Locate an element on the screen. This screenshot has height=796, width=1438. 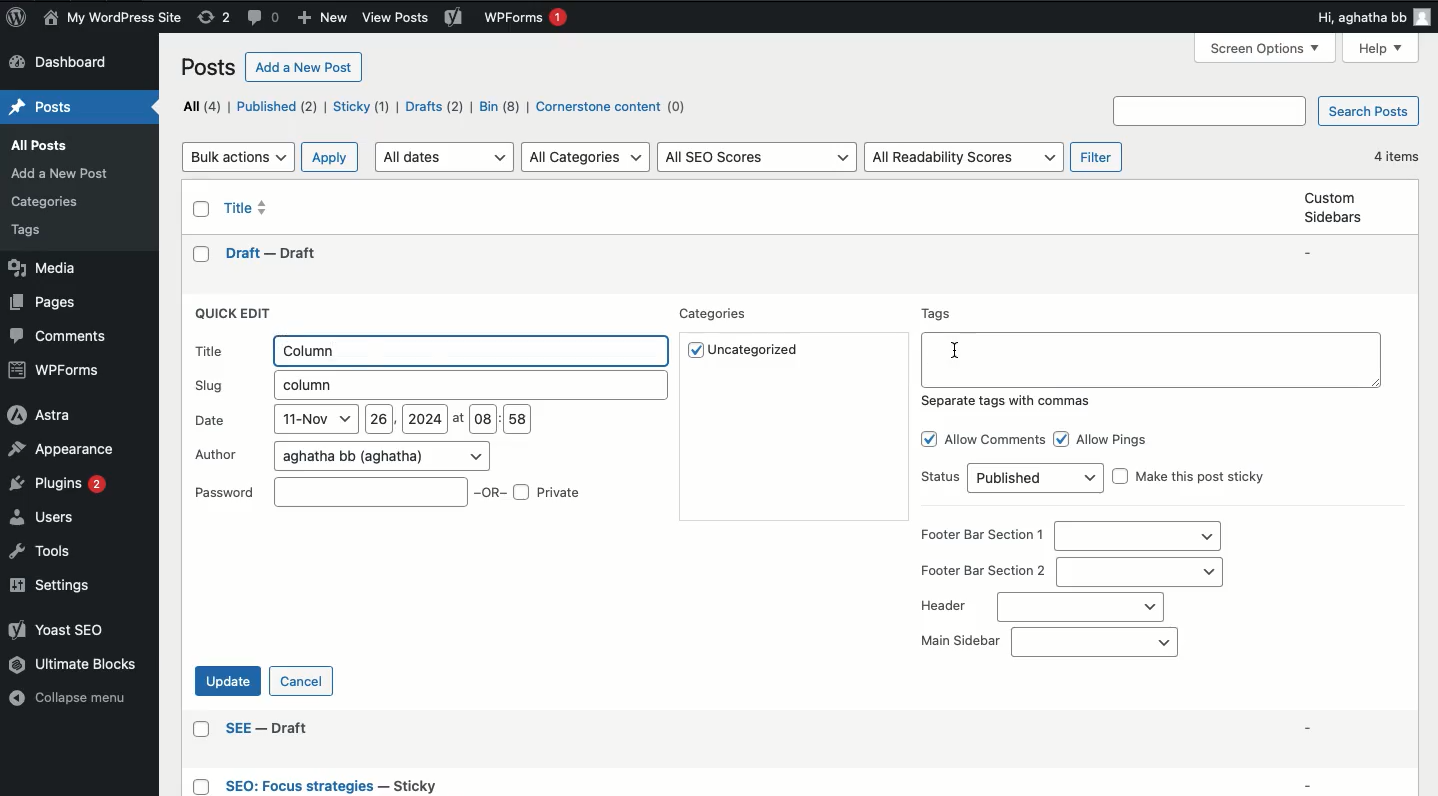
Title is located at coordinates (251, 208).